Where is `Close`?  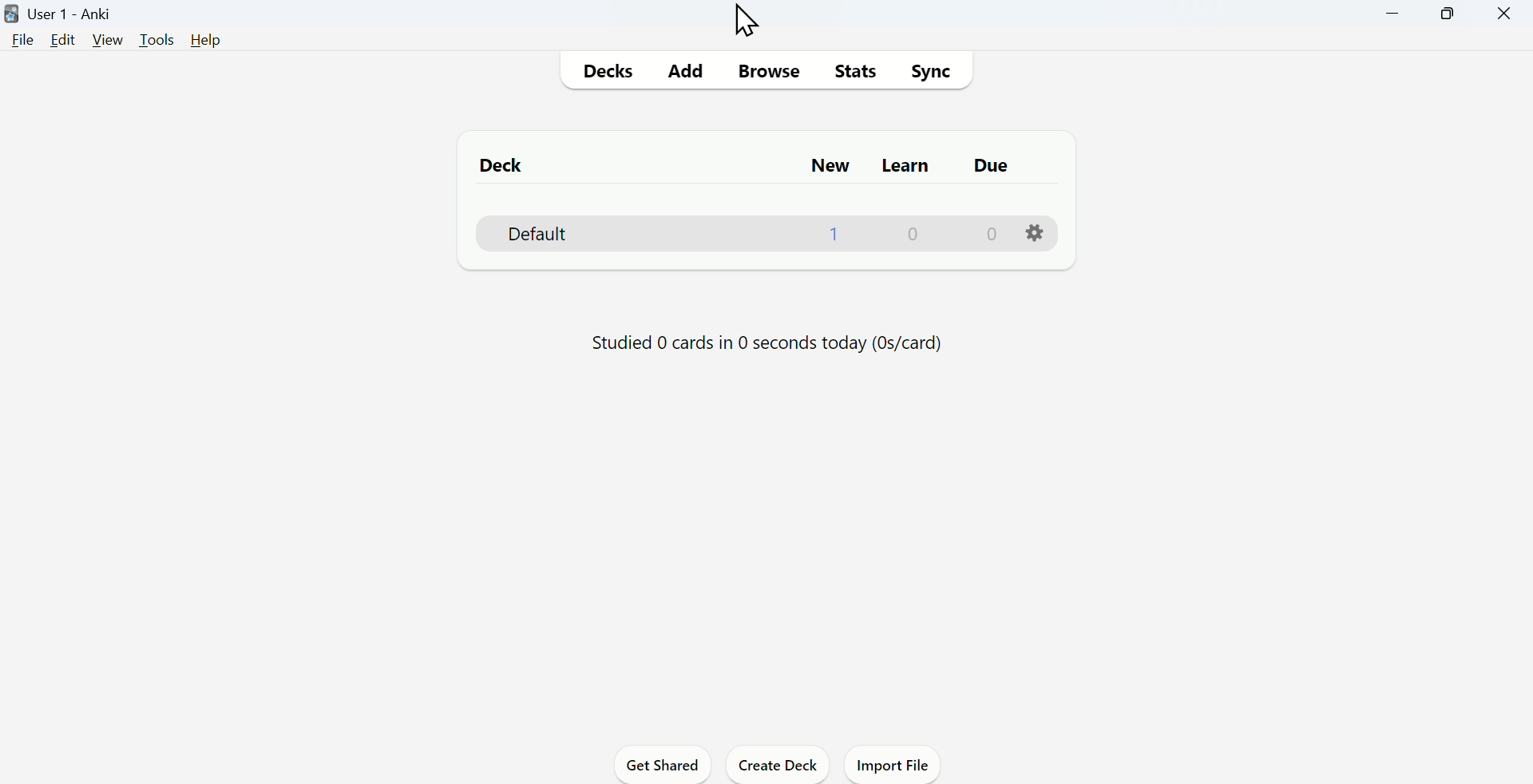 Close is located at coordinates (1504, 14).